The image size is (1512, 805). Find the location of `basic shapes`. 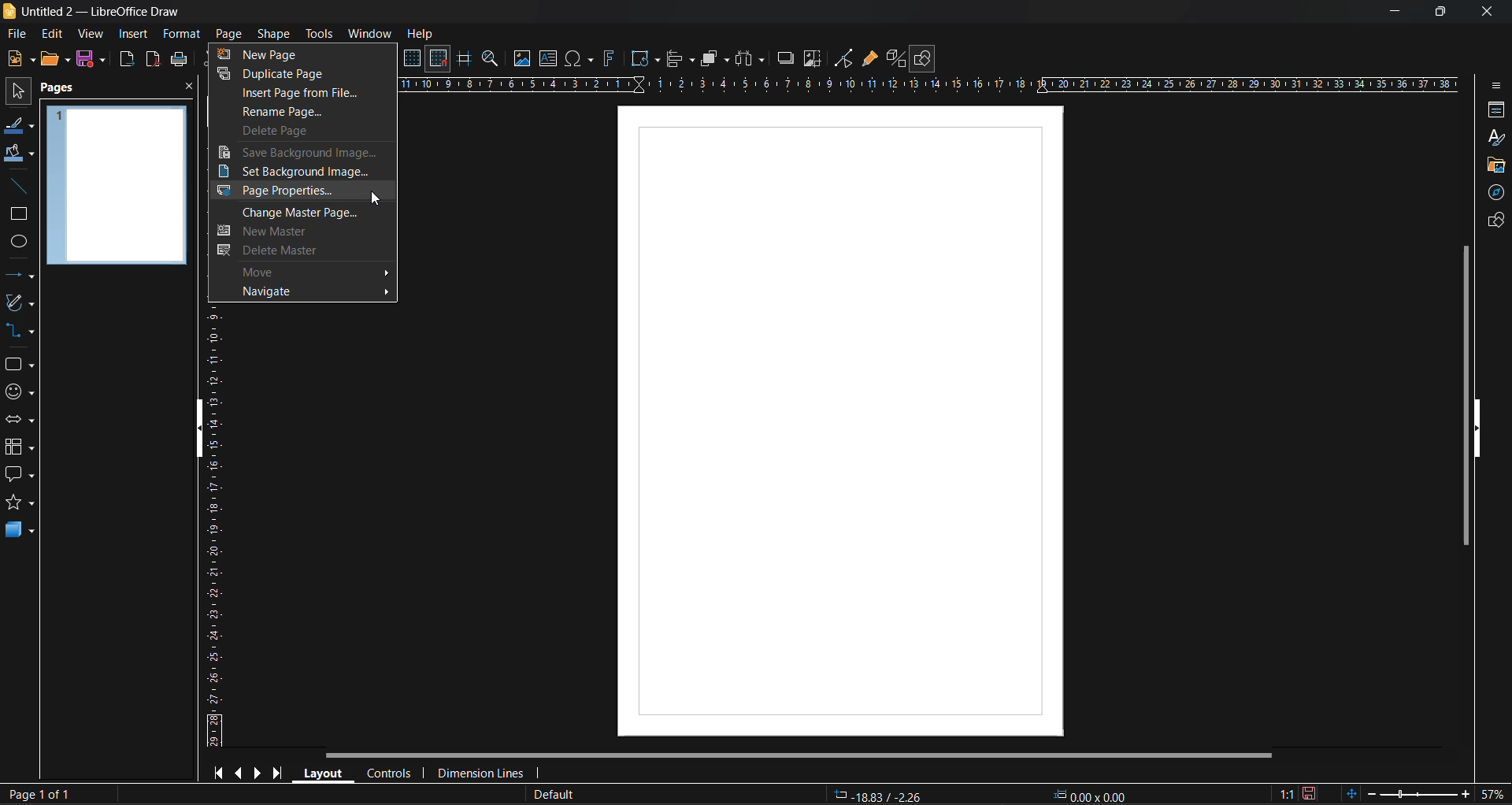

basic shapes is located at coordinates (22, 365).